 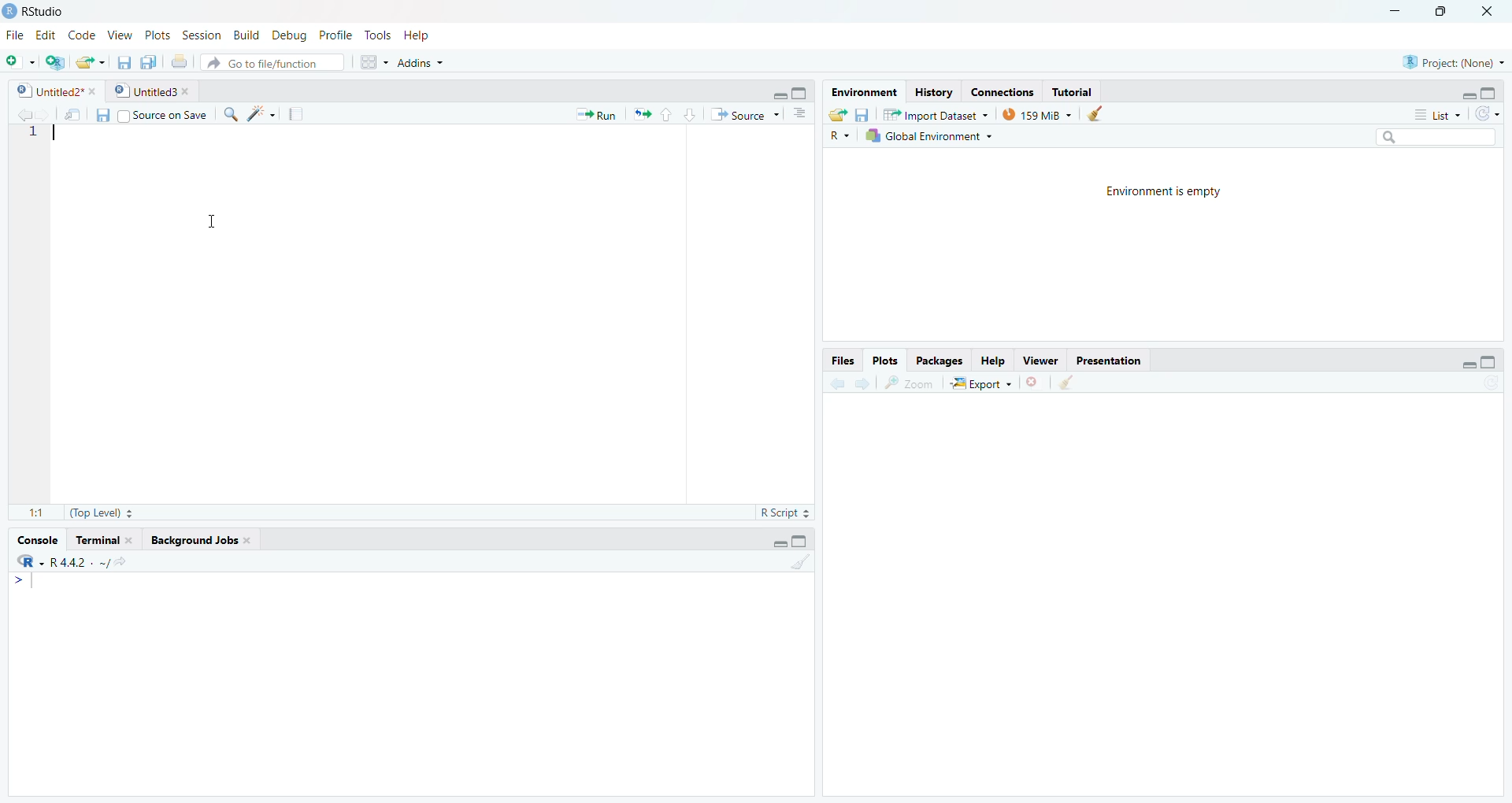 I want to click on New file, so click(x=19, y=62).